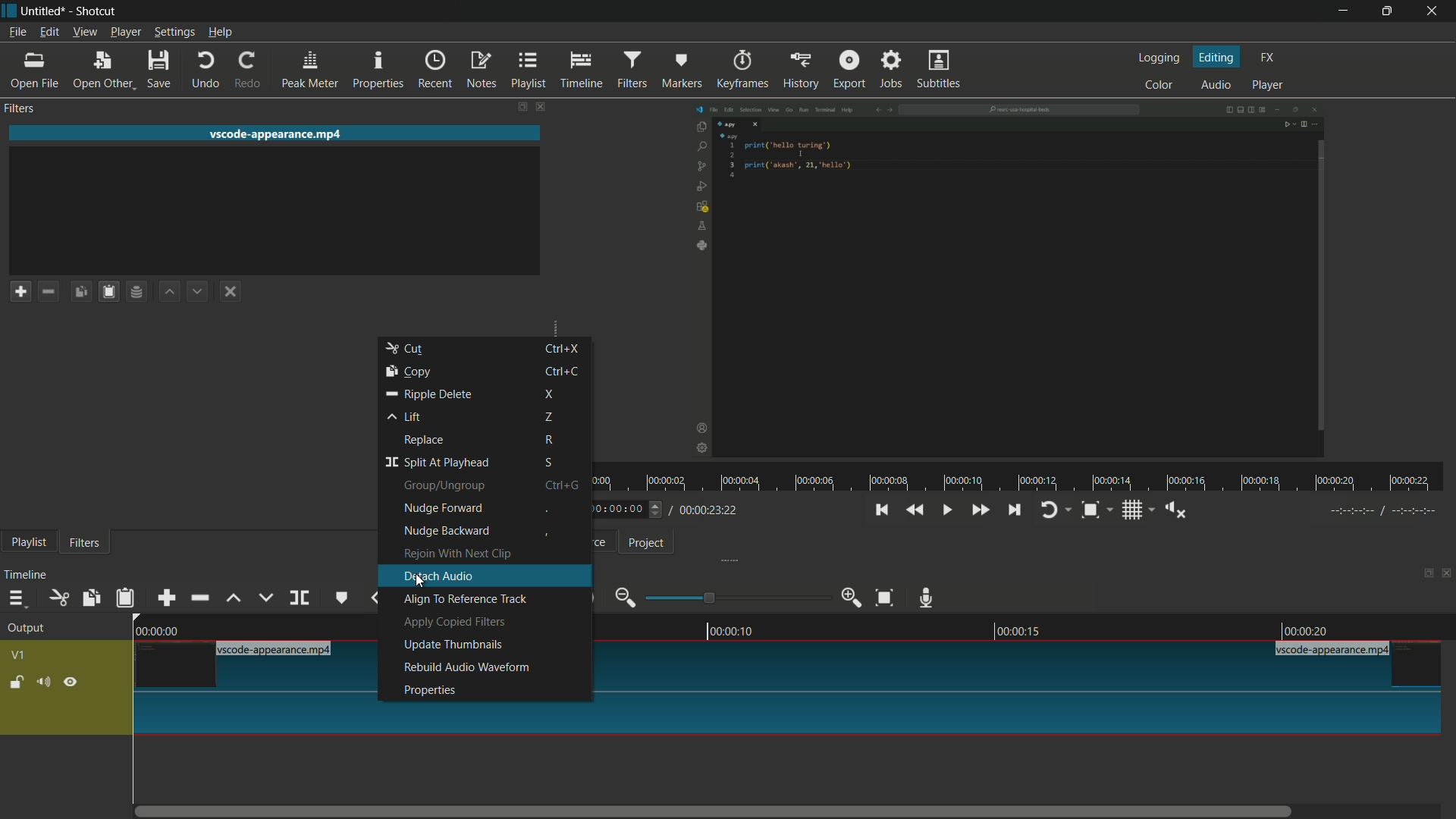  What do you see at coordinates (19, 598) in the screenshot?
I see `timeline menu` at bounding box center [19, 598].